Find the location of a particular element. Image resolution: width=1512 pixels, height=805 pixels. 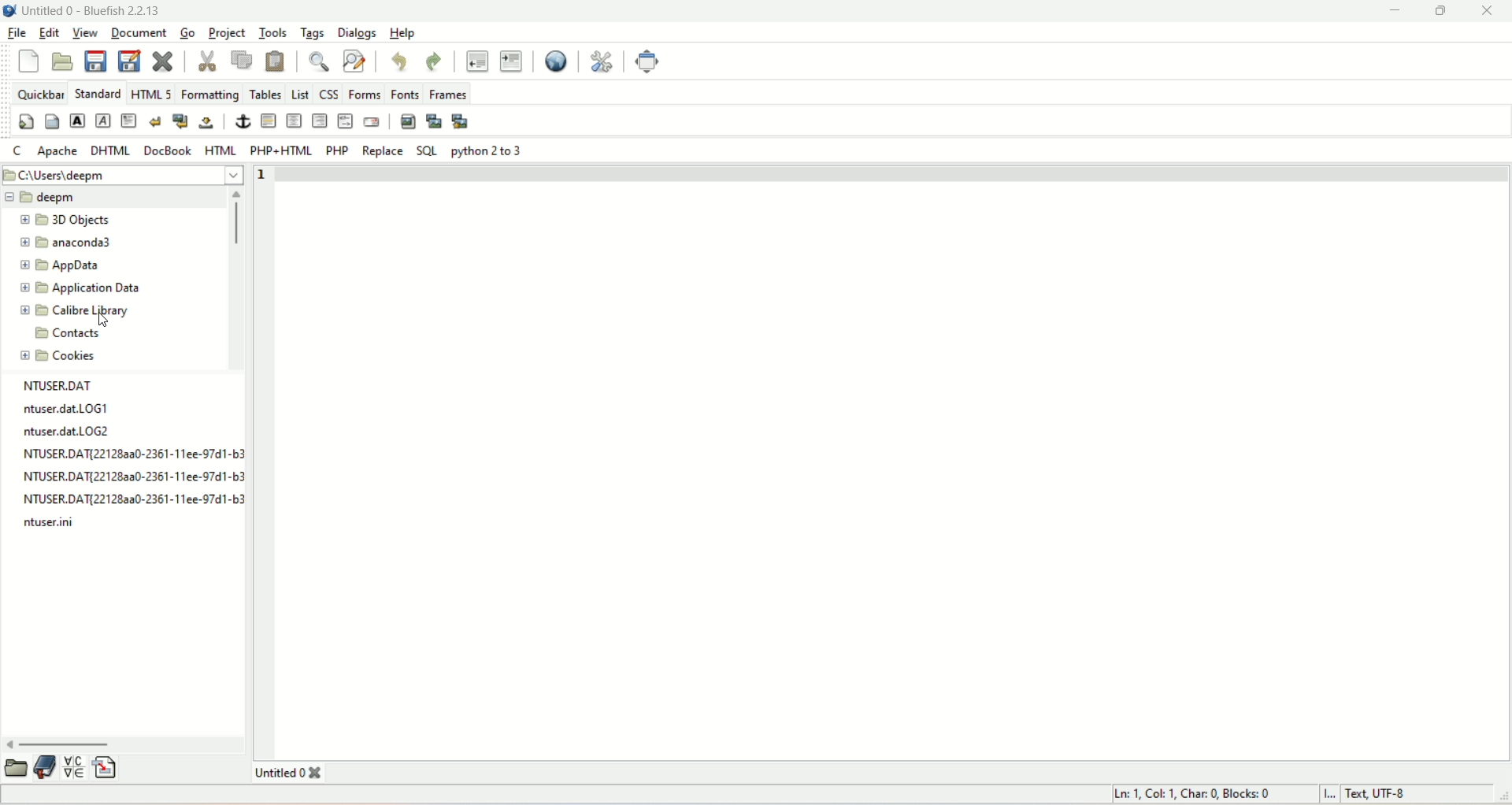

multi-thumbnail is located at coordinates (464, 121).